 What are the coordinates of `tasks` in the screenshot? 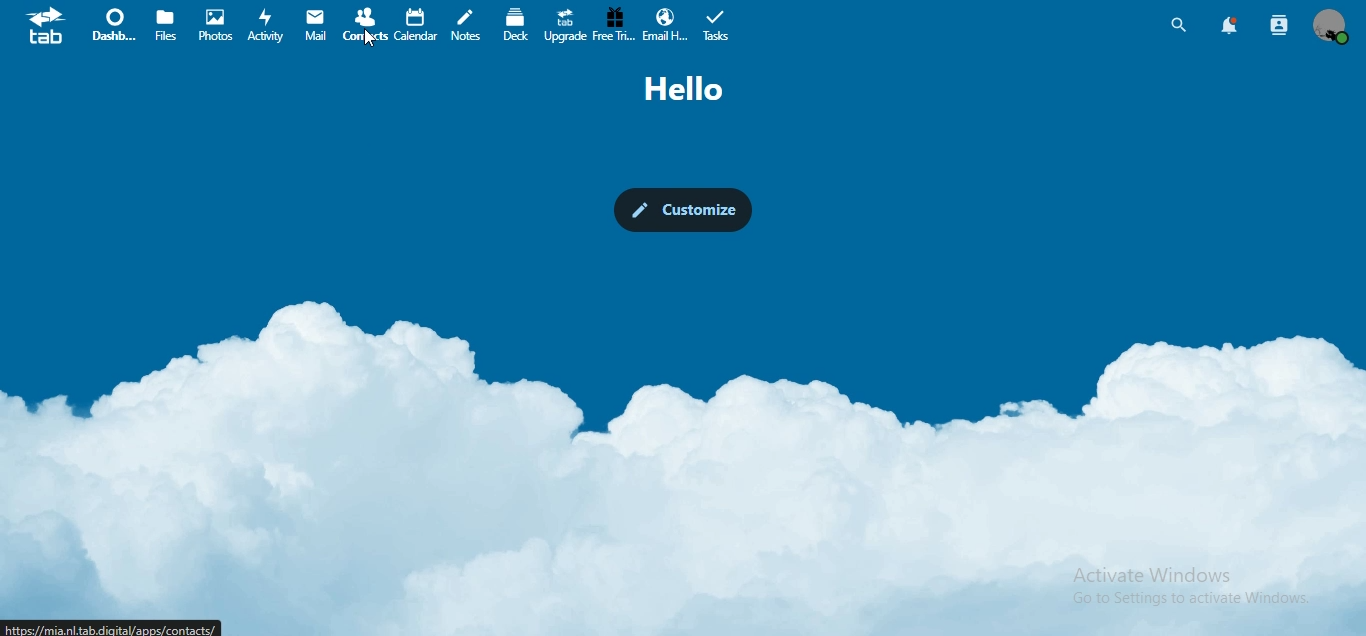 It's located at (716, 25).